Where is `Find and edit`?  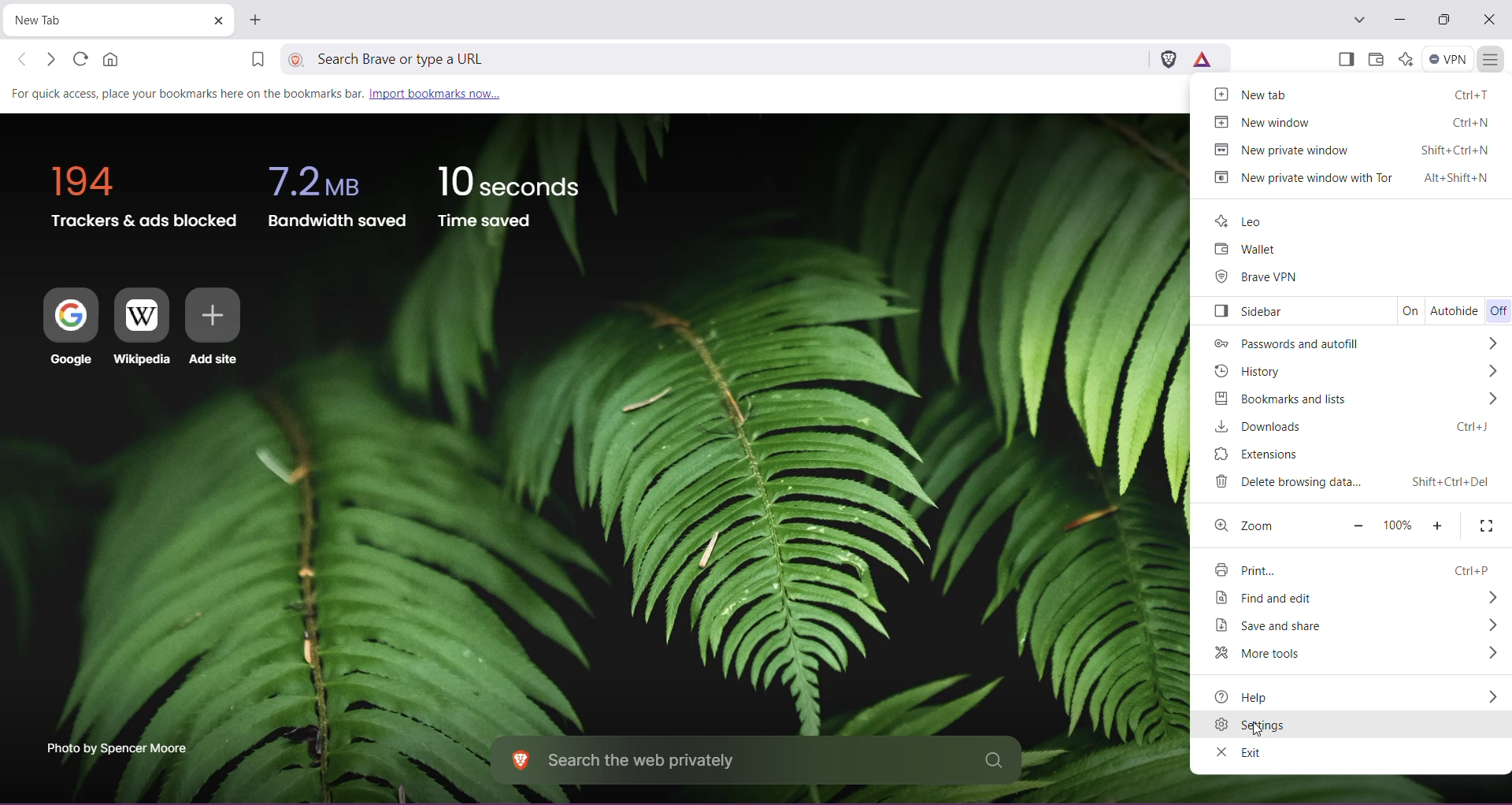 Find and edit is located at coordinates (1273, 597).